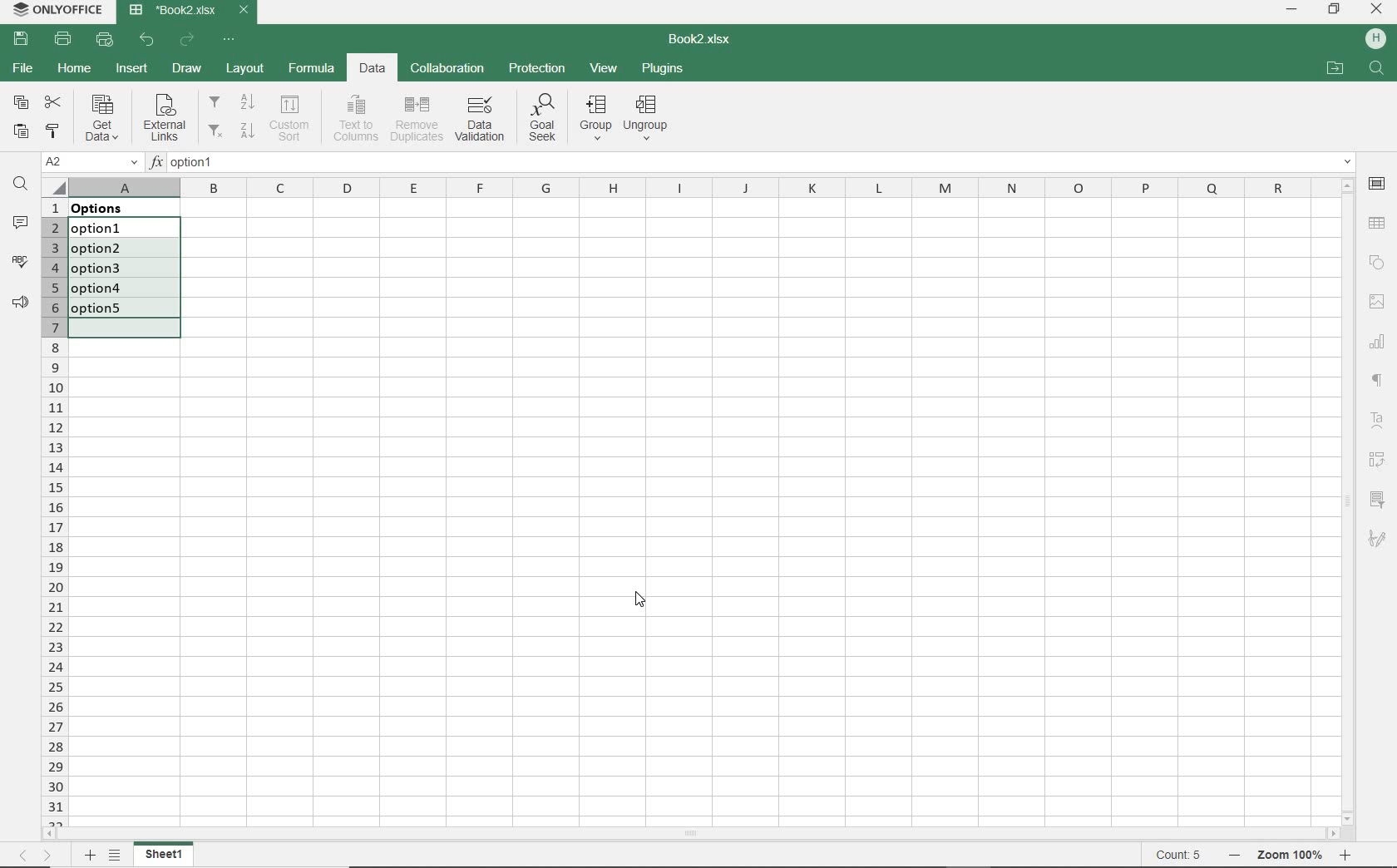 The height and width of the screenshot is (868, 1397). I want to click on DATA, so click(374, 70).